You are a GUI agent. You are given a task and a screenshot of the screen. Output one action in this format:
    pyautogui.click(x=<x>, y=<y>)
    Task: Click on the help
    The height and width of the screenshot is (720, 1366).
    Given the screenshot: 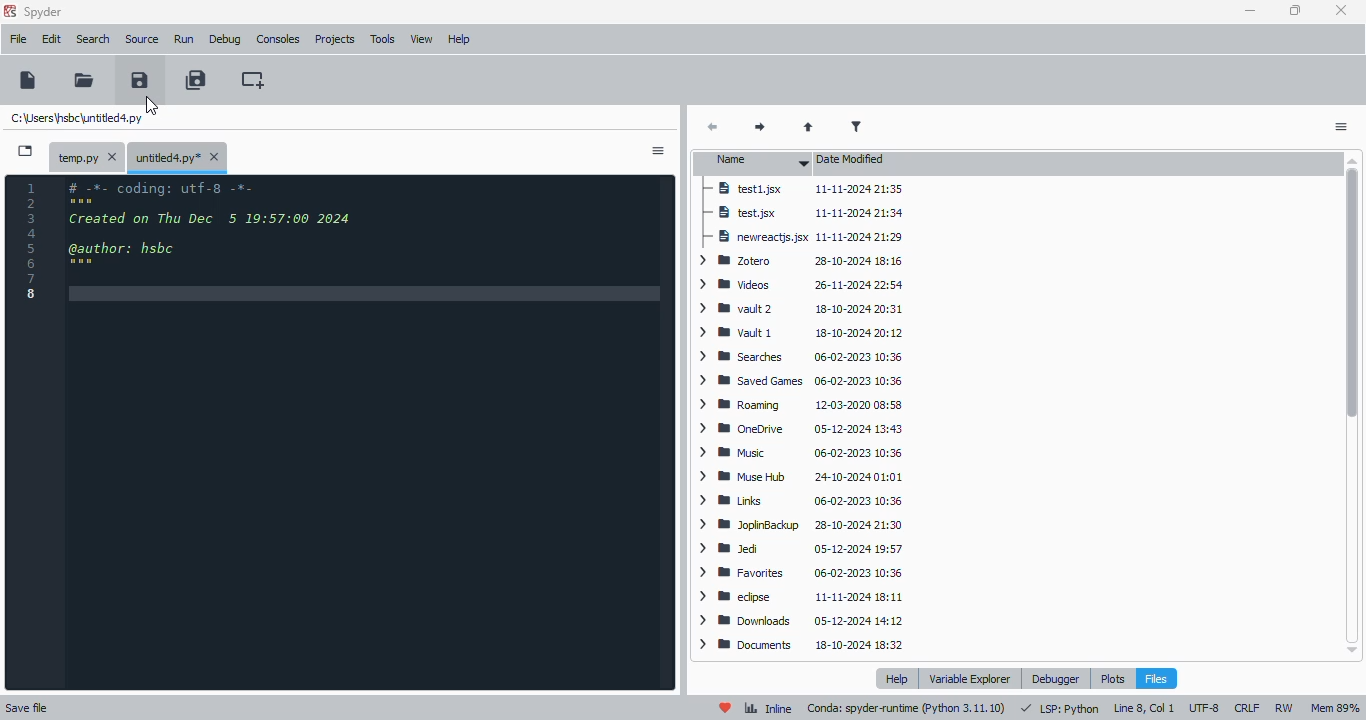 What is the action you would take?
    pyautogui.click(x=460, y=40)
    